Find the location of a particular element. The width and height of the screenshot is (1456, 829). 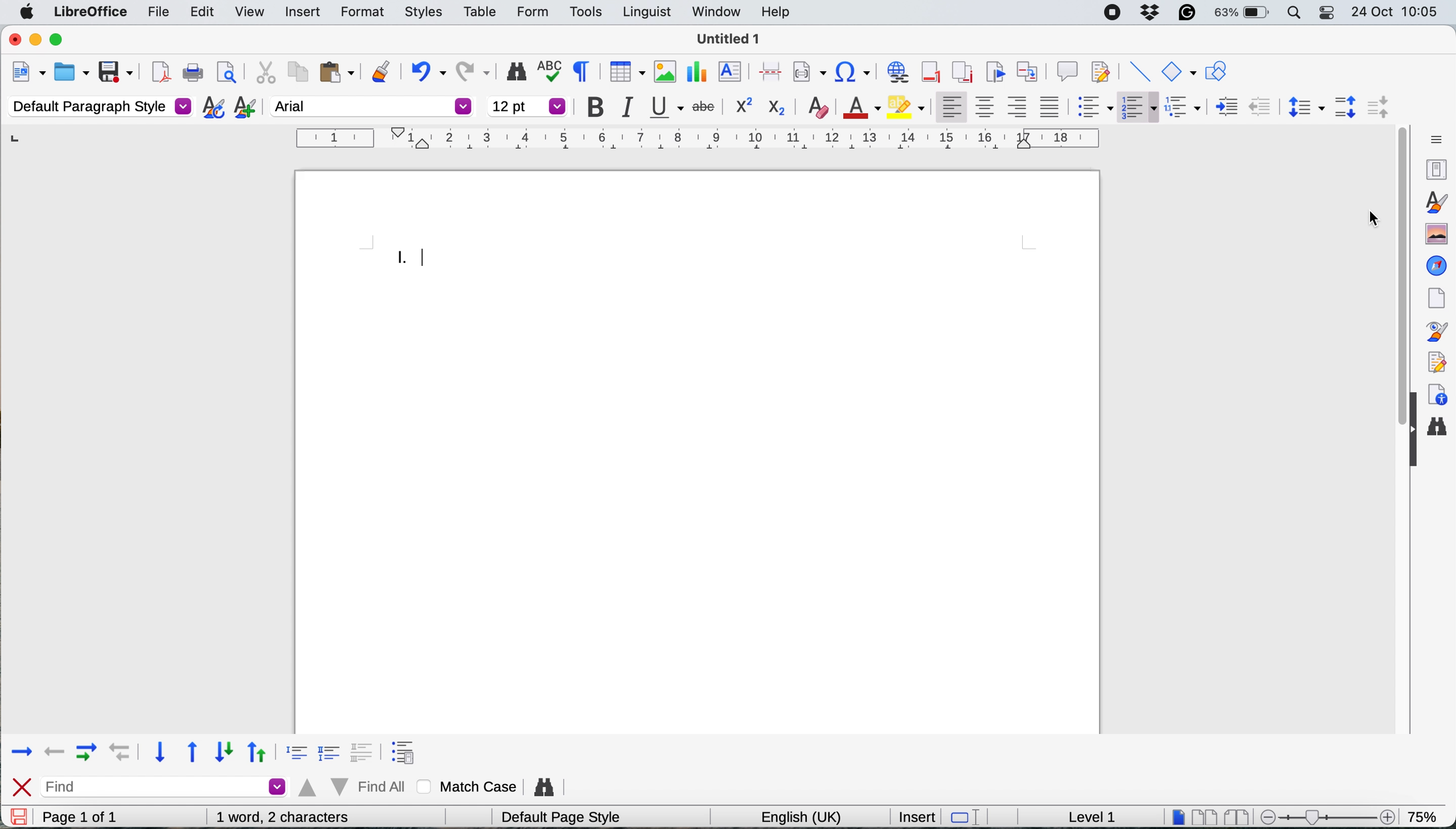

upward is located at coordinates (194, 753).